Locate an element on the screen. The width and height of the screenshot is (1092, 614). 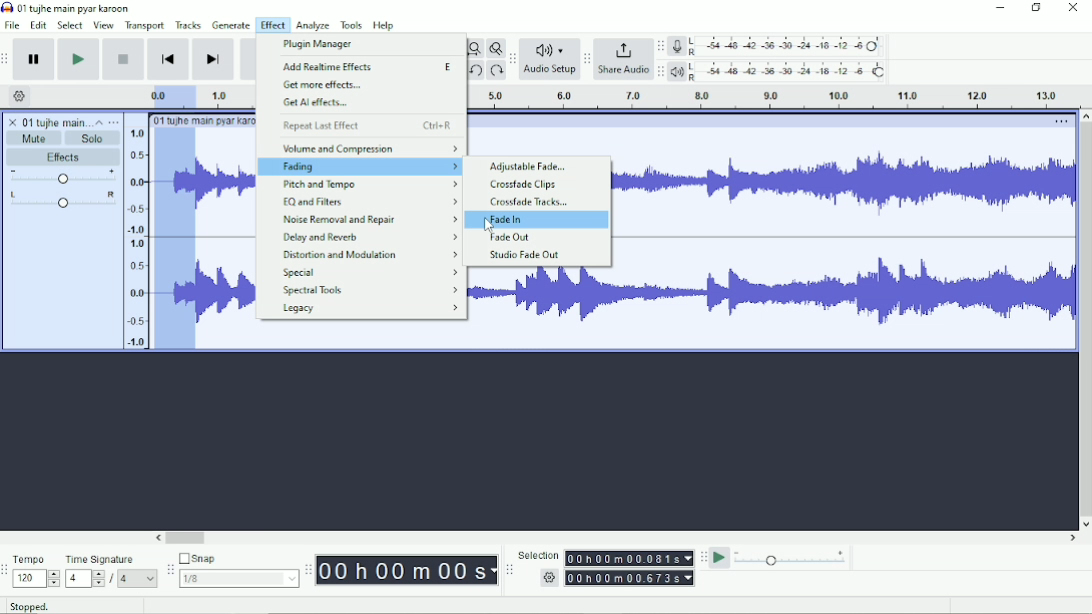
Special is located at coordinates (370, 273).